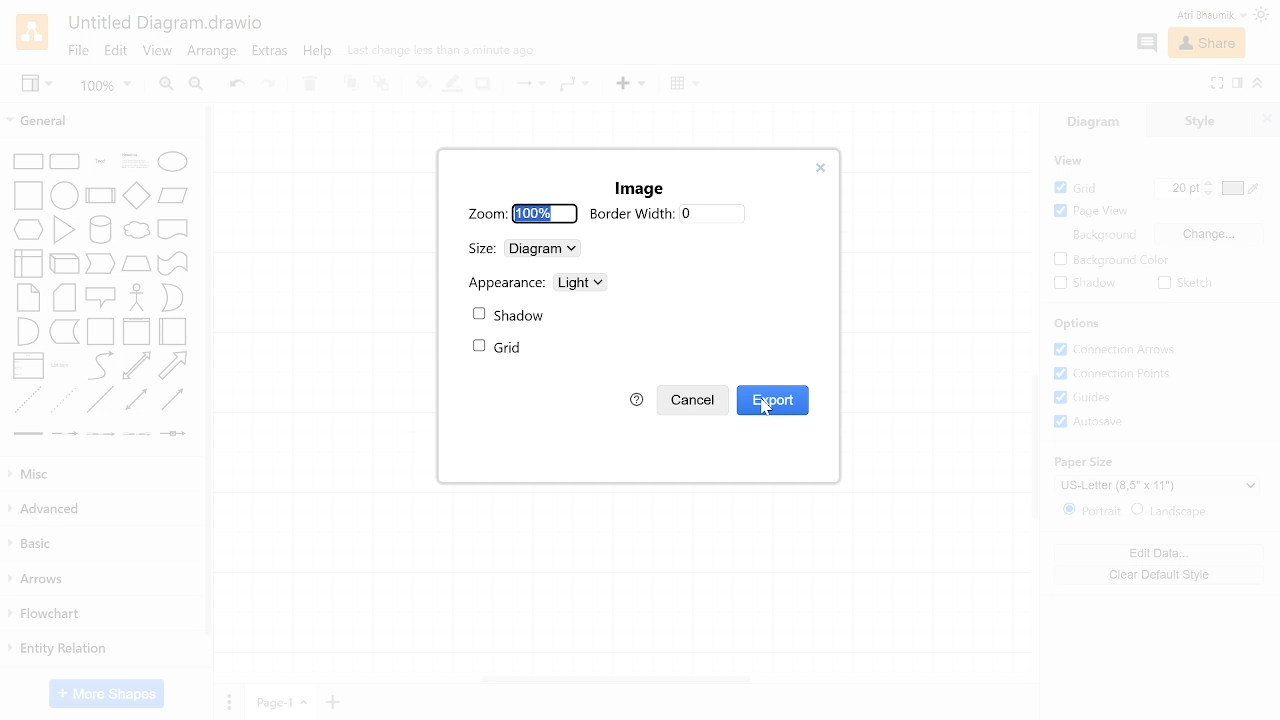 This screenshot has width=1280, height=720. I want to click on Cursor, so click(773, 410).